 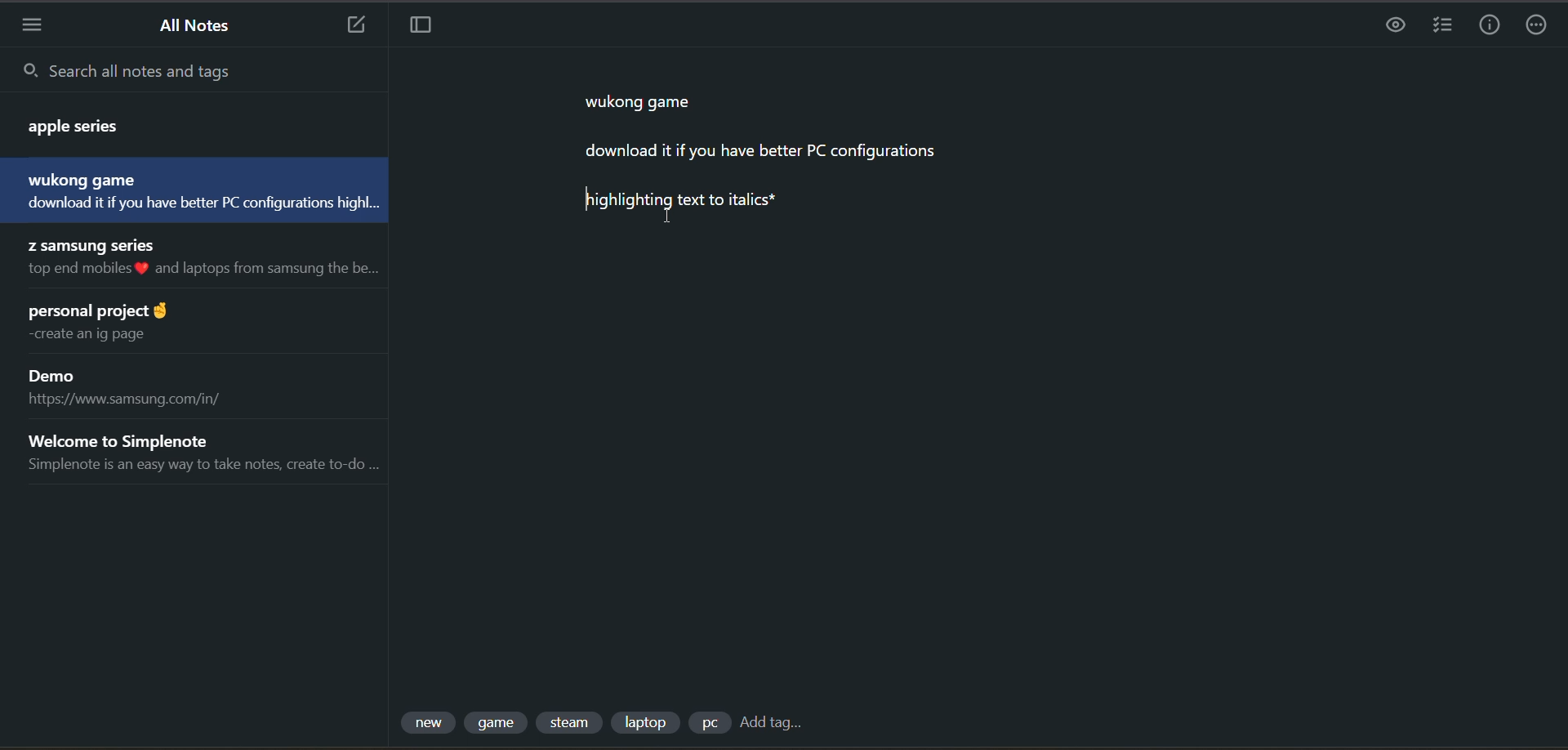 What do you see at coordinates (666, 218) in the screenshot?
I see `cursor` at bounding box center [666, 218].